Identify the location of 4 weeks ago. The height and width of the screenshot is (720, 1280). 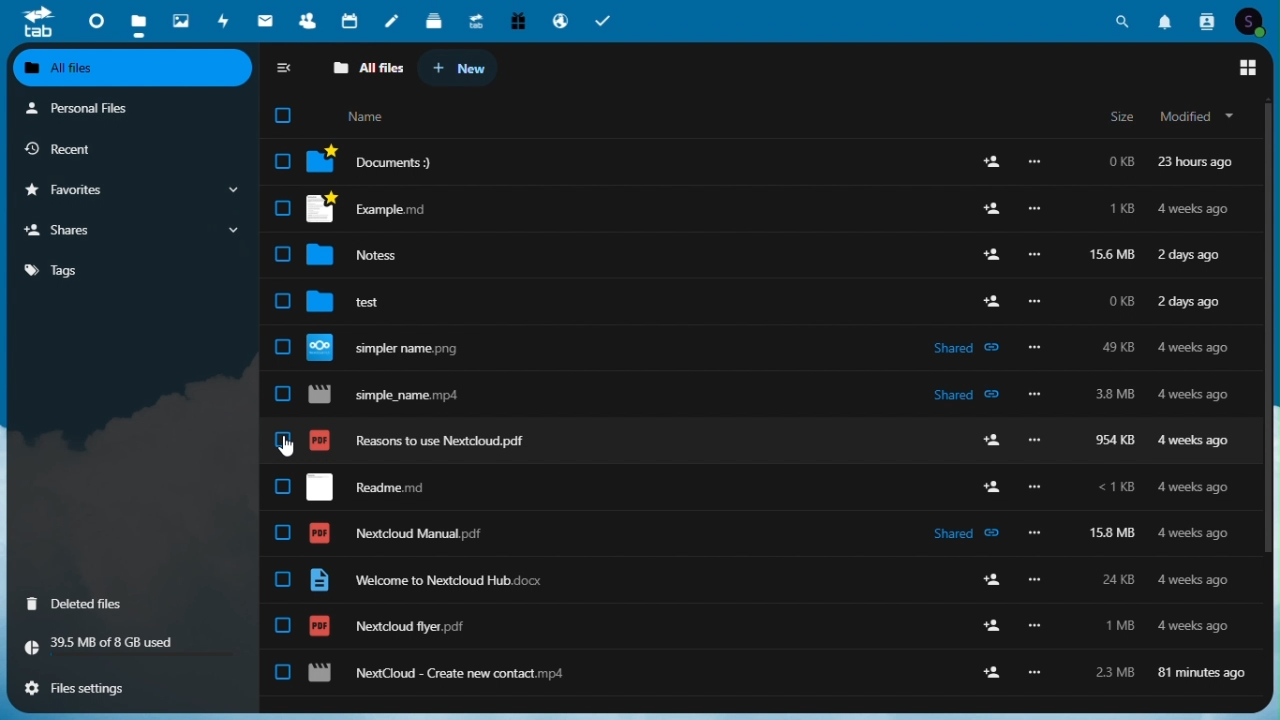
(1189, 579).